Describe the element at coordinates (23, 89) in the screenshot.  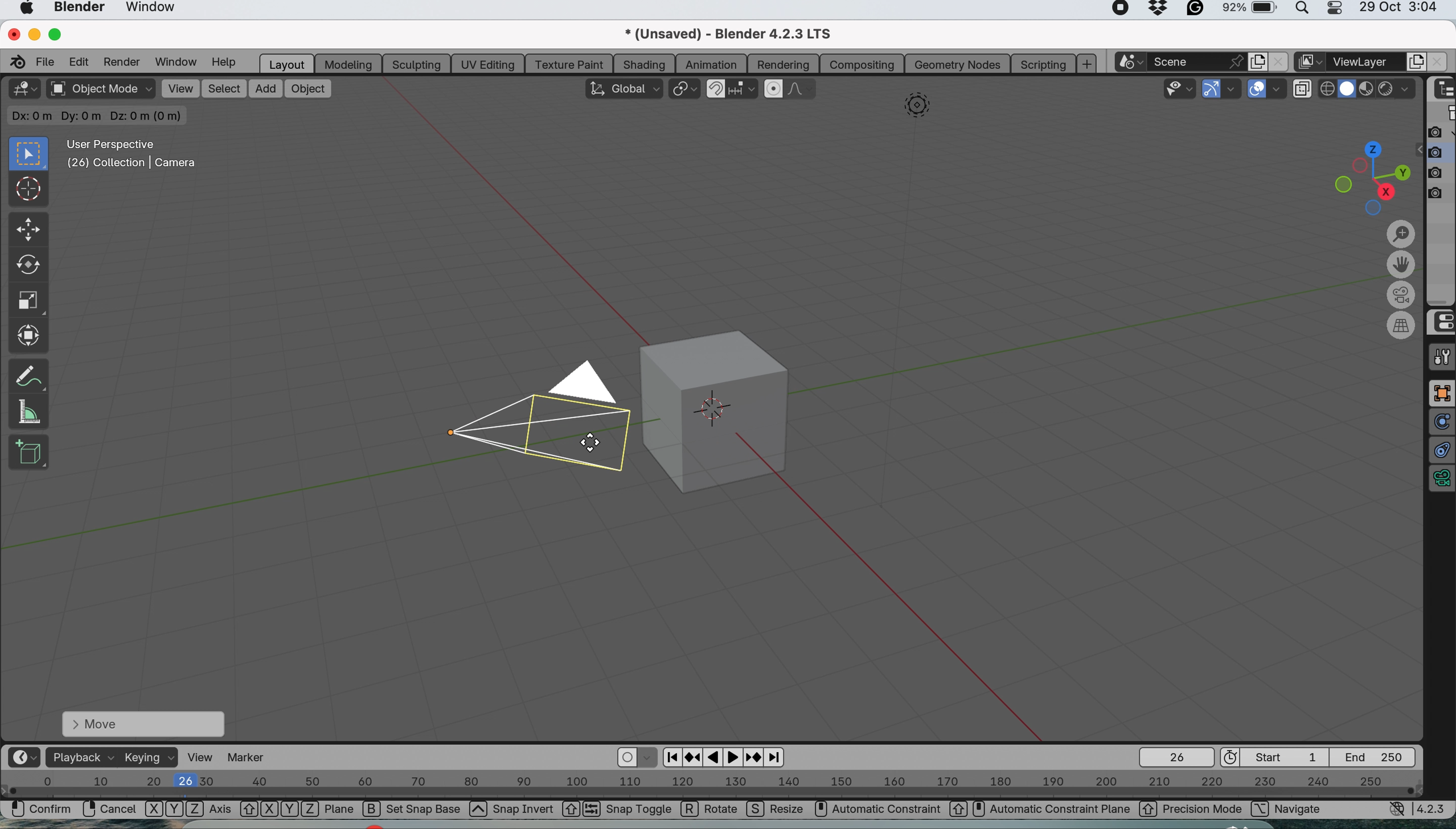
I see `editor type` at that location.